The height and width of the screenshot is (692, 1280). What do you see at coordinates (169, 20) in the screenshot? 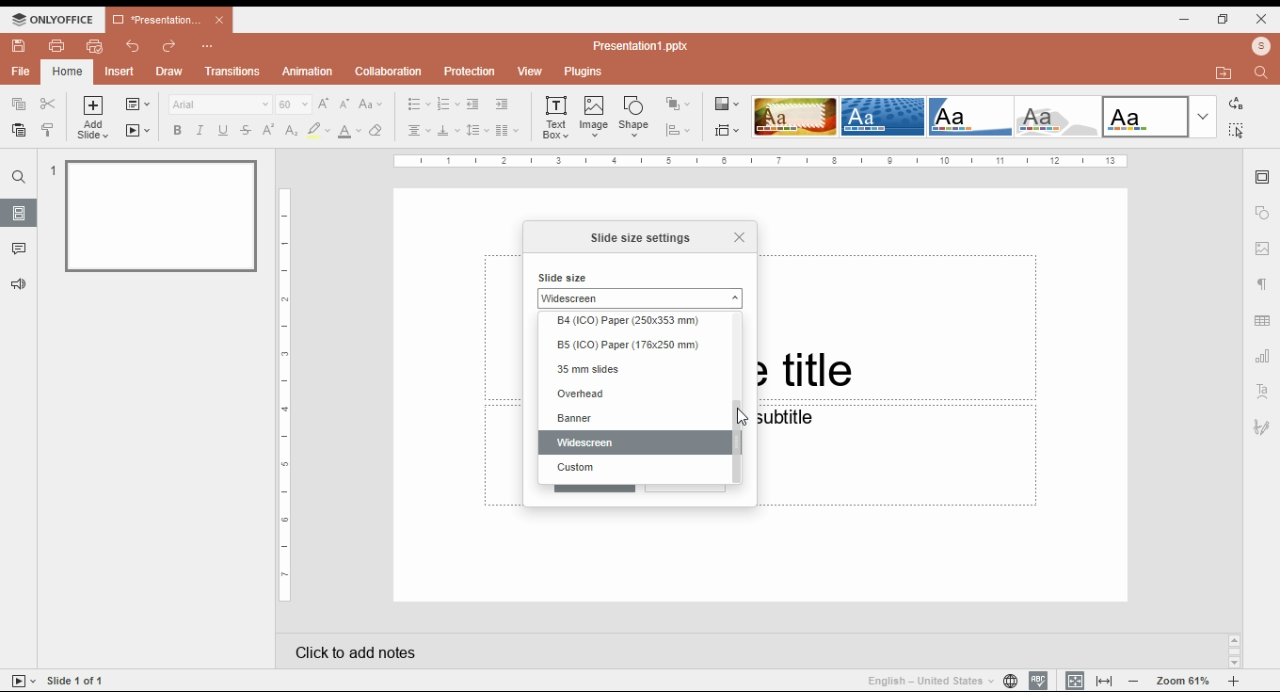
I see `*Presentation1` at bounding box center [169, 20].